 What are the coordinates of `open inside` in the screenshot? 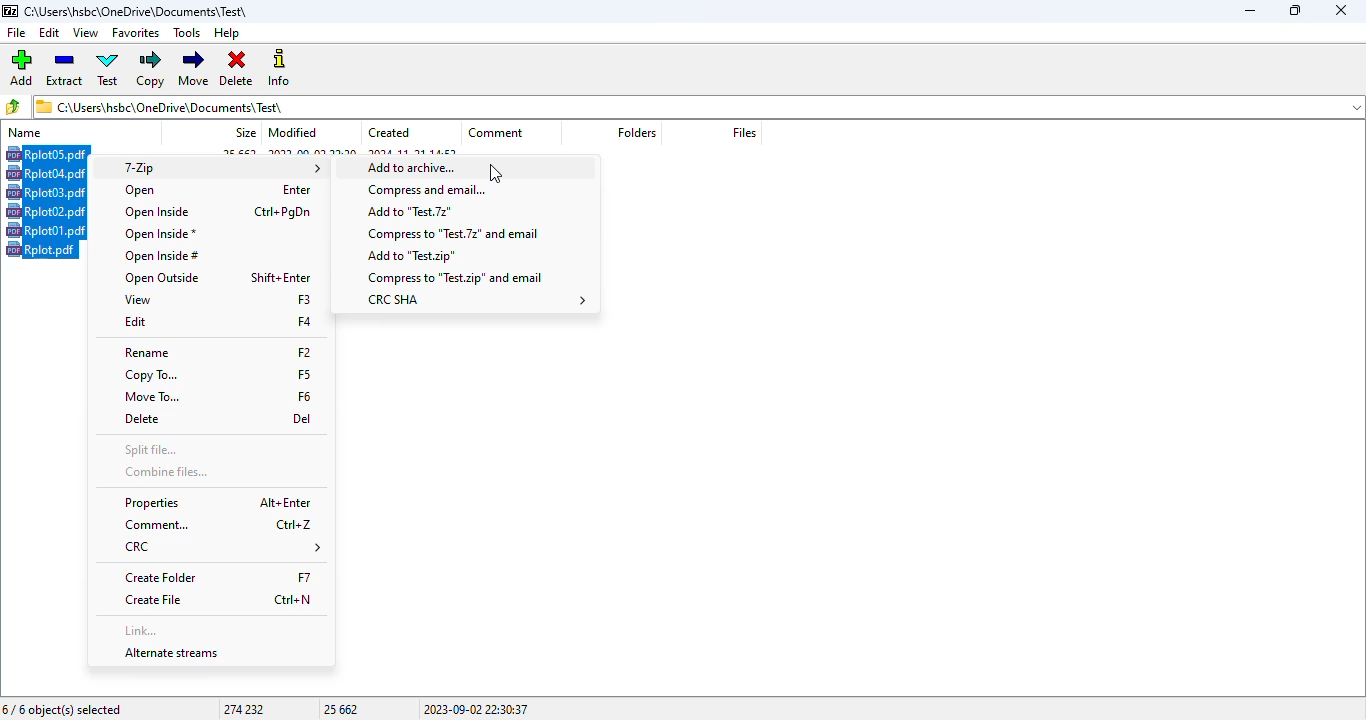 It's located at (219, 212).